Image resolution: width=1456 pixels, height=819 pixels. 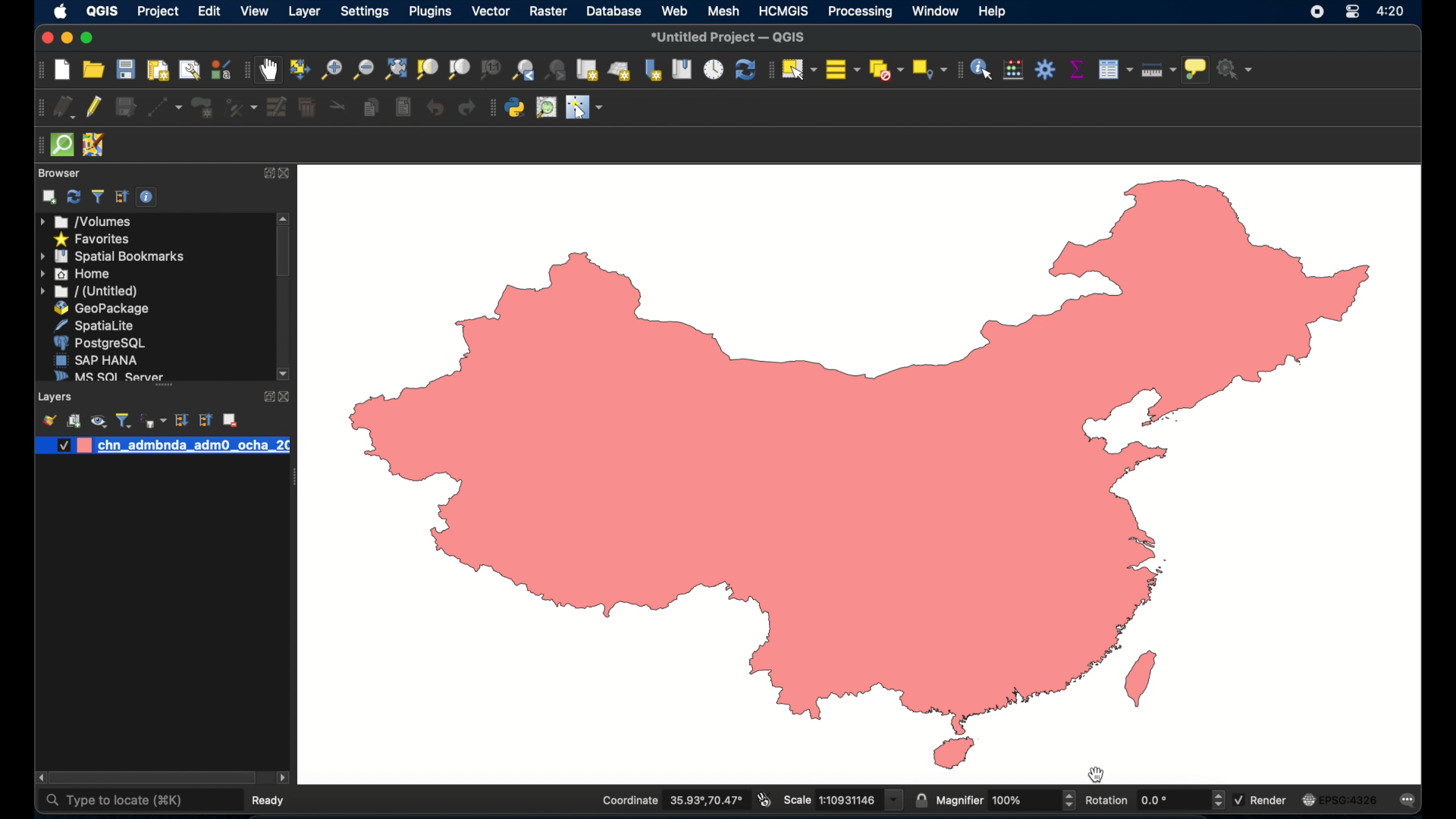 What do you see at coordinates (102, 309) in the screenshot?
I see `geopackage` at bounding box center [102, 309].